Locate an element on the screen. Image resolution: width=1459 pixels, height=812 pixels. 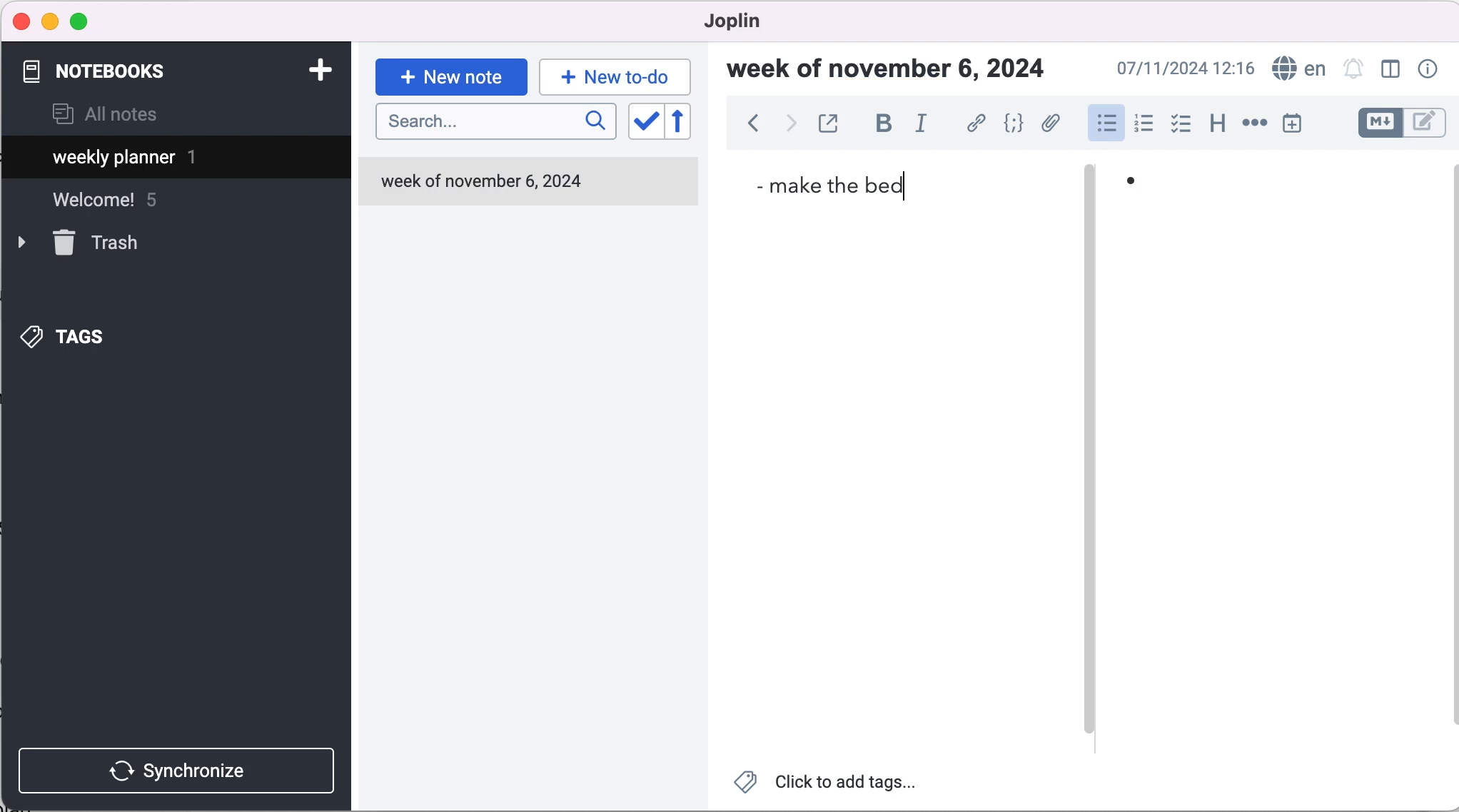
horizontal rules is located at coordinates (1252, 124).